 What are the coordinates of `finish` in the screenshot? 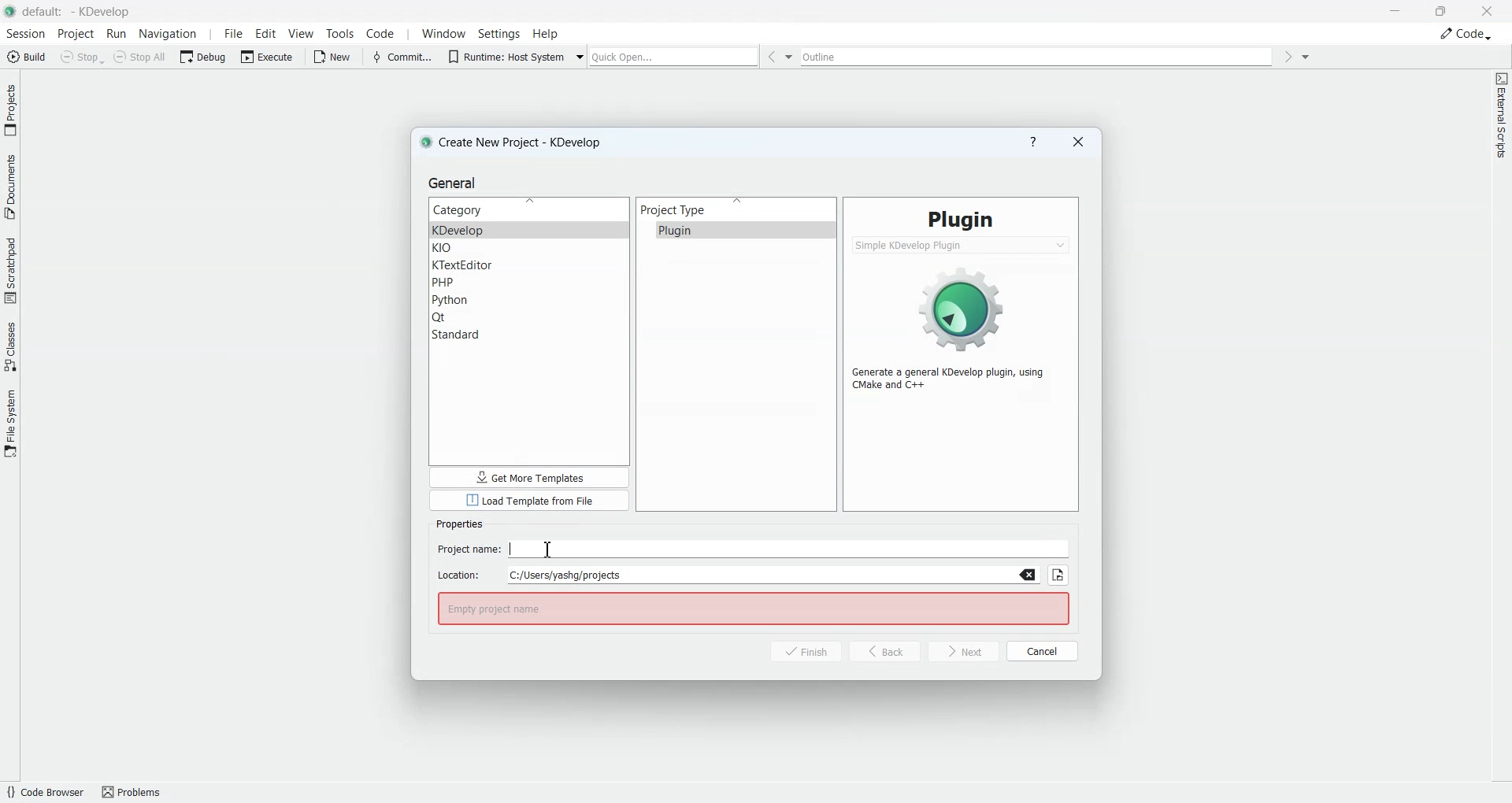 It's located at (797, 652).